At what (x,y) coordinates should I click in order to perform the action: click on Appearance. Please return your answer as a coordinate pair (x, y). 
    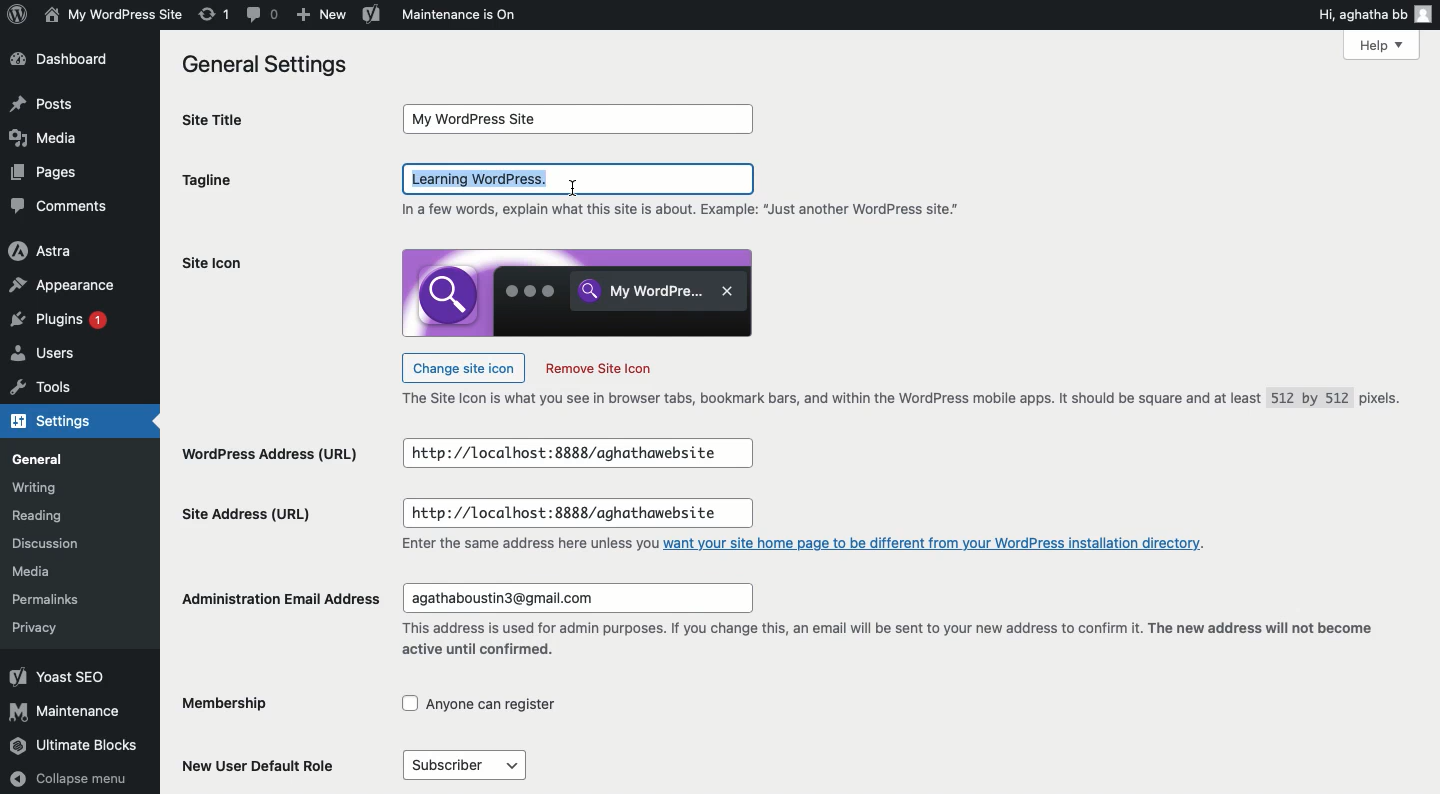
    Looking at the image, I should click on (66, 287).